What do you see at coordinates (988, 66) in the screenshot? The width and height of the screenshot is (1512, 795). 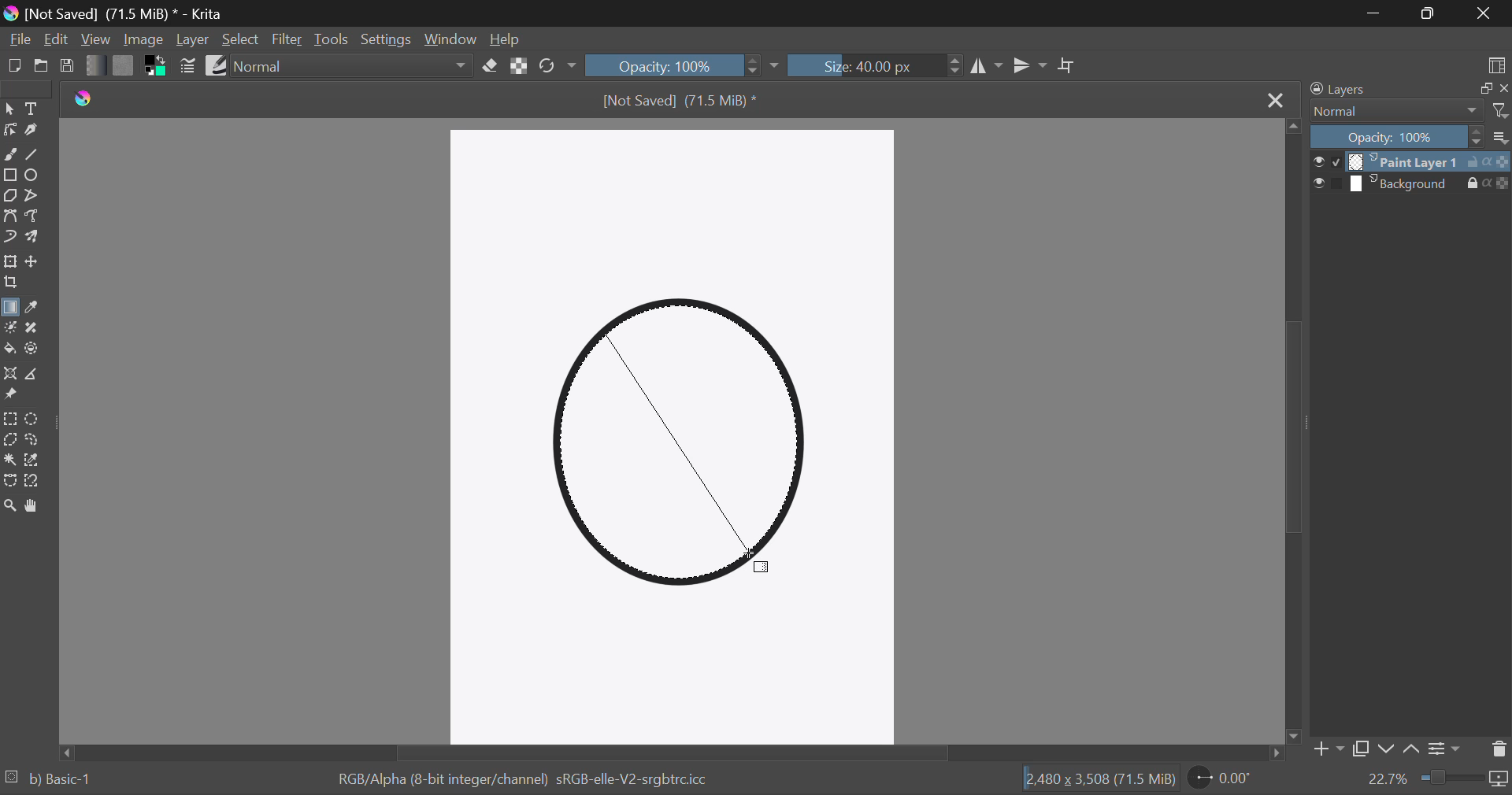 I see `Vertical Mirror Flip` at bounding box center [988, 66].